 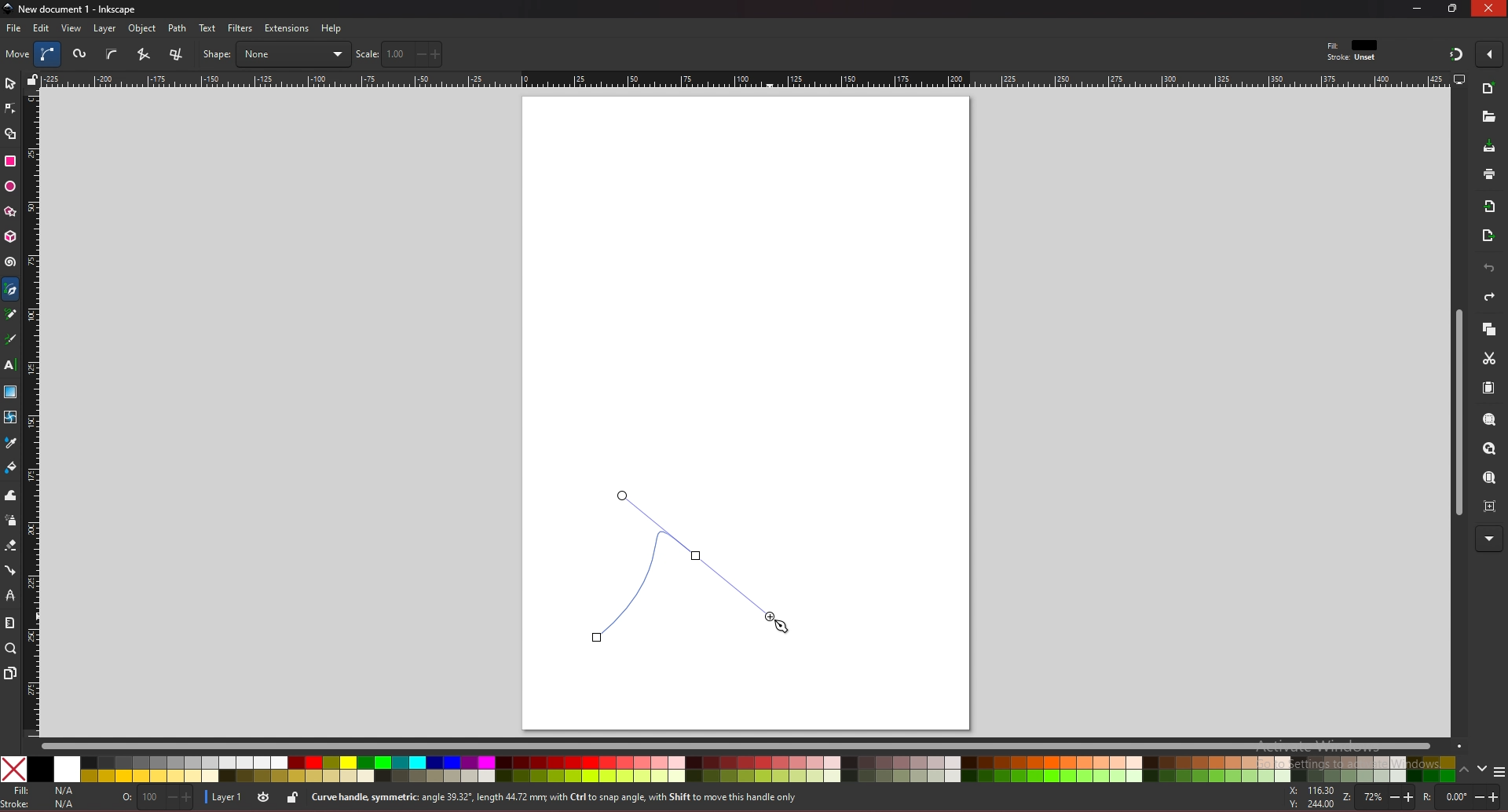 I want to click on help, so click(x=332, y=28).